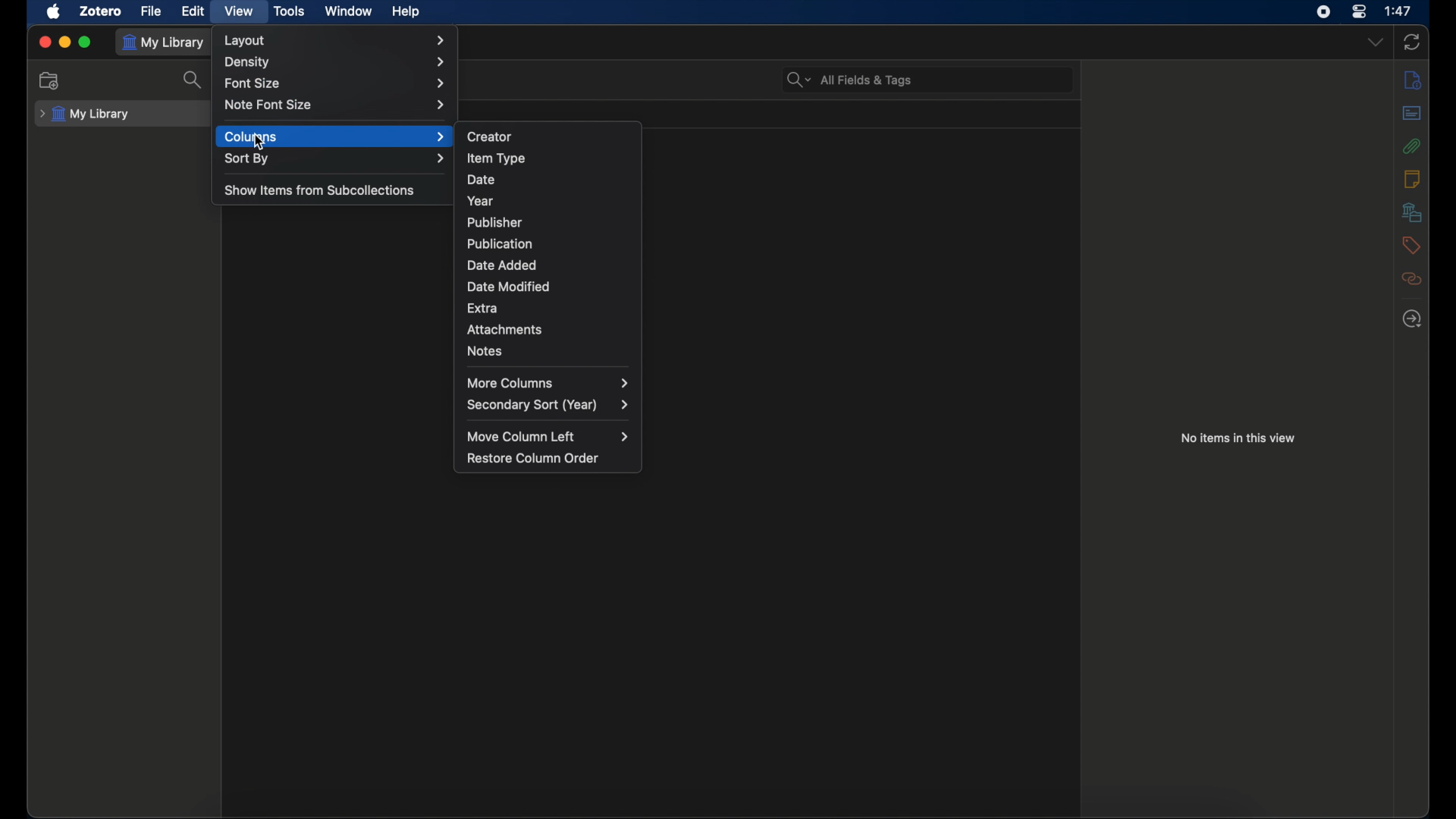 Image resolution: width=1456 pixels, height=819 pixels. I want to click on year, so click(482, 202).